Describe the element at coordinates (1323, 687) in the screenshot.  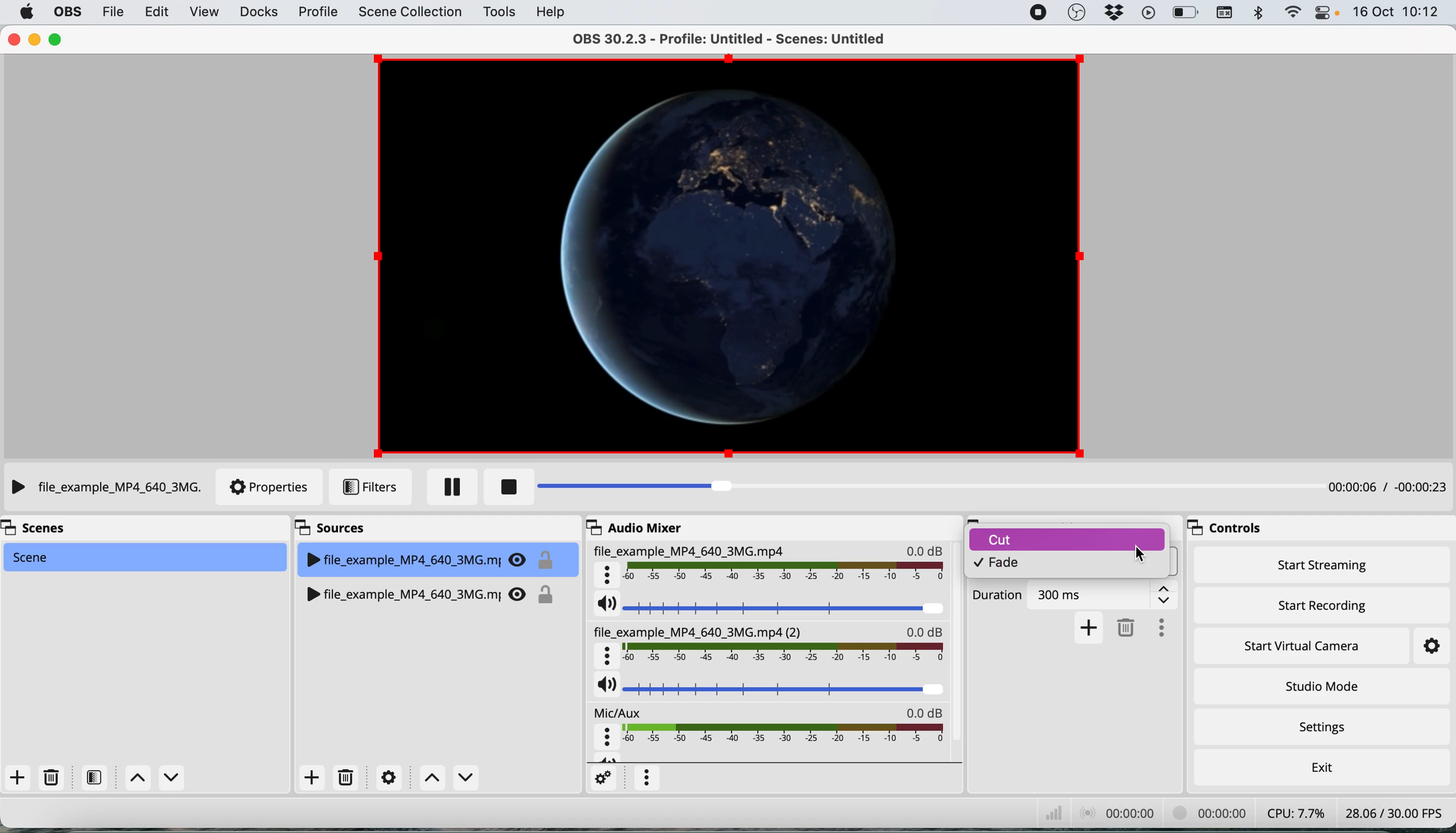
I see `studio mode` at that location.